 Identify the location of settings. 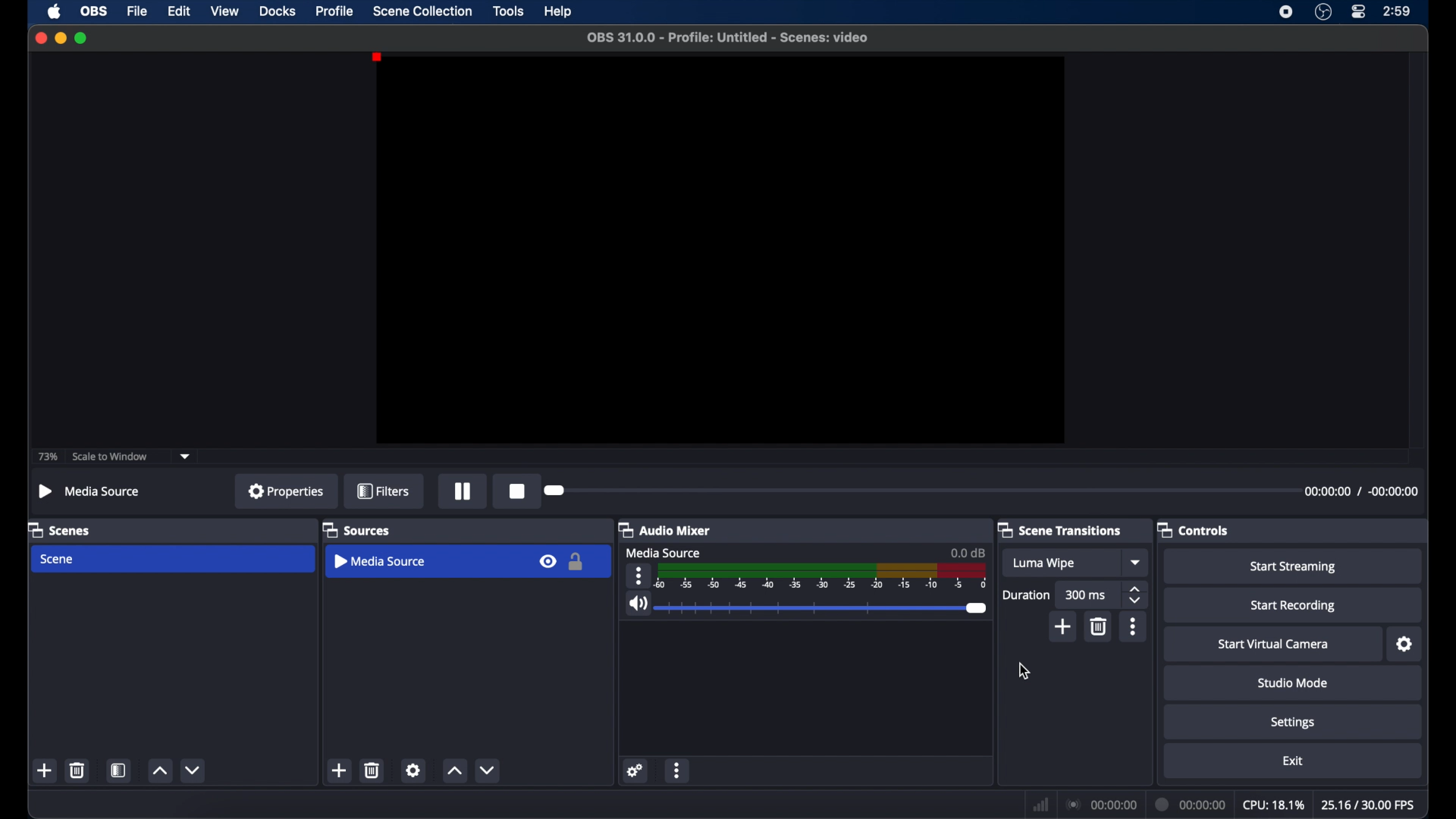
(1293, 723).